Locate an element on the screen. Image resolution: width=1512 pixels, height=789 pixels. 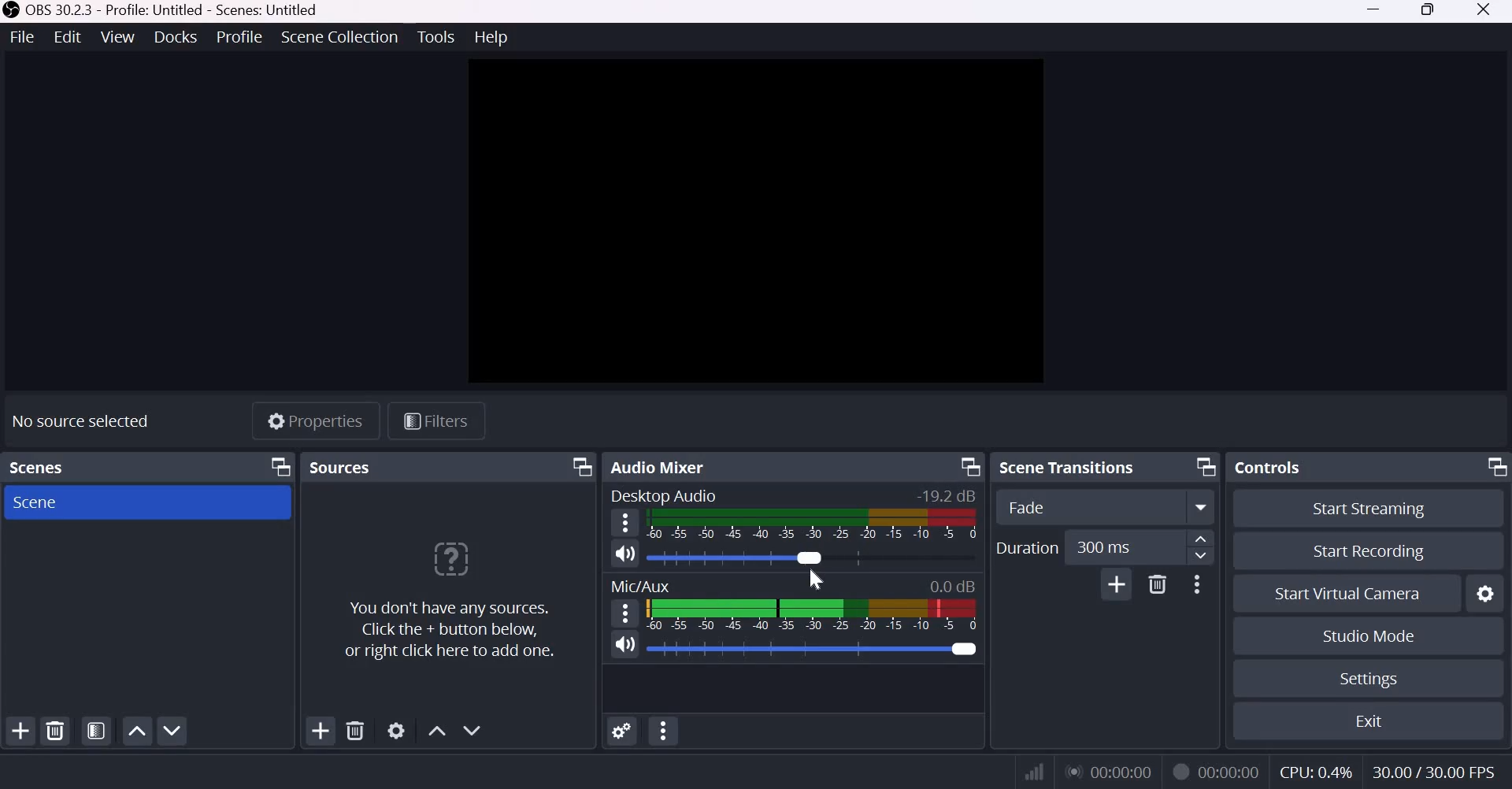
Scene transitions is located at coordinates (1068, 468).